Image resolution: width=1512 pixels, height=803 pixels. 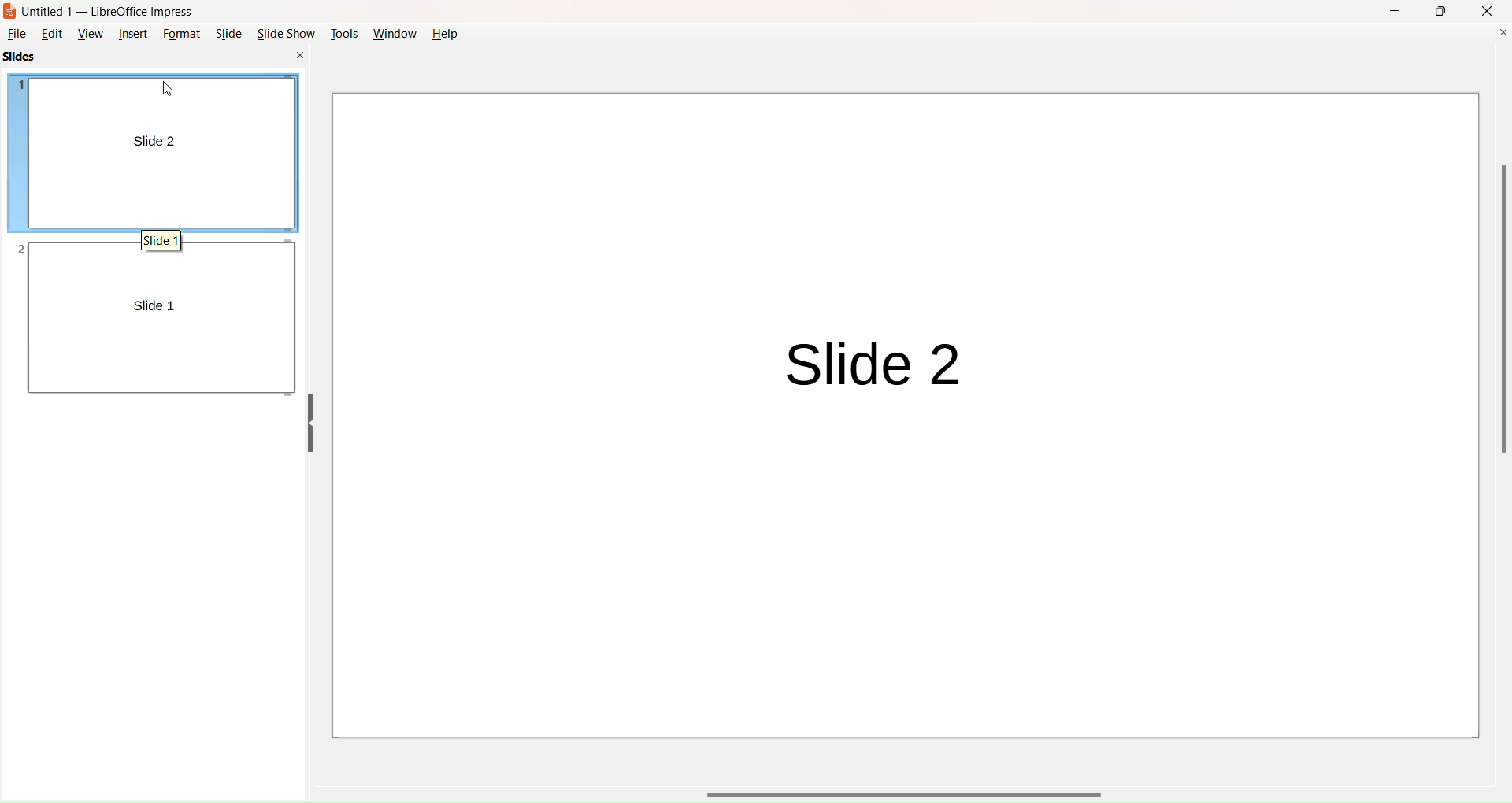 I want to click on cursor, so click(x=167, y=90).